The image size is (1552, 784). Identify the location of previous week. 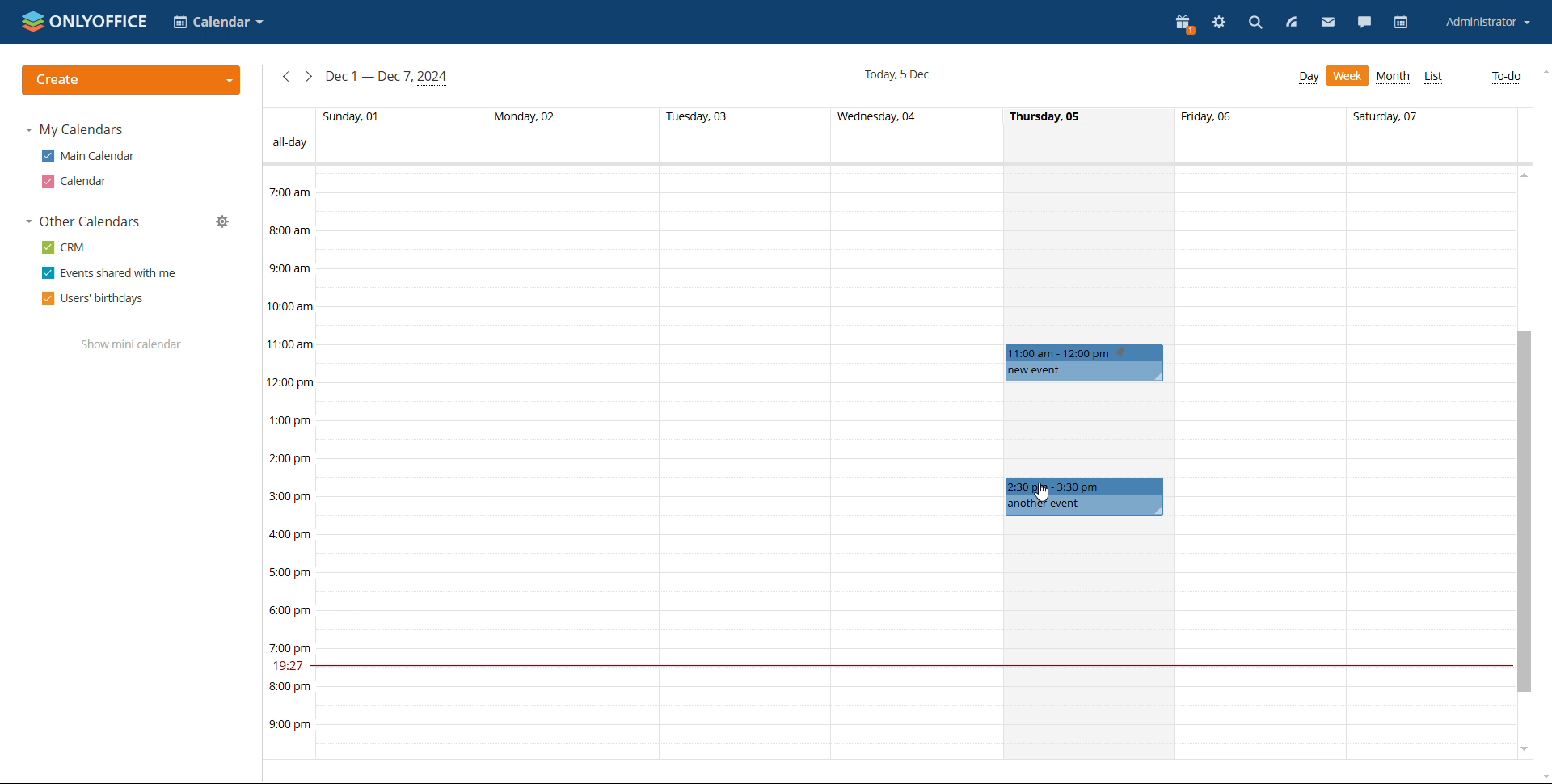
(285, 75).